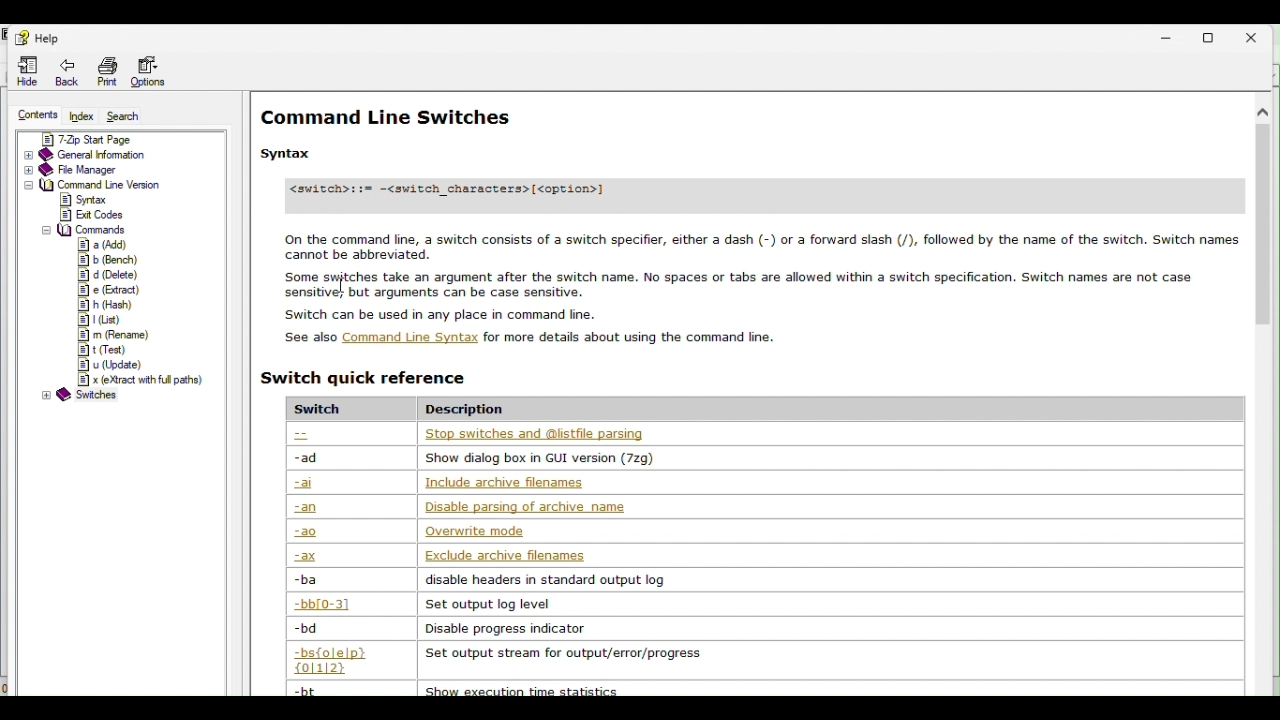 The width and height of the screenshot is (1280, 720). I want to click on 7 zip start page, so click(122, 137).